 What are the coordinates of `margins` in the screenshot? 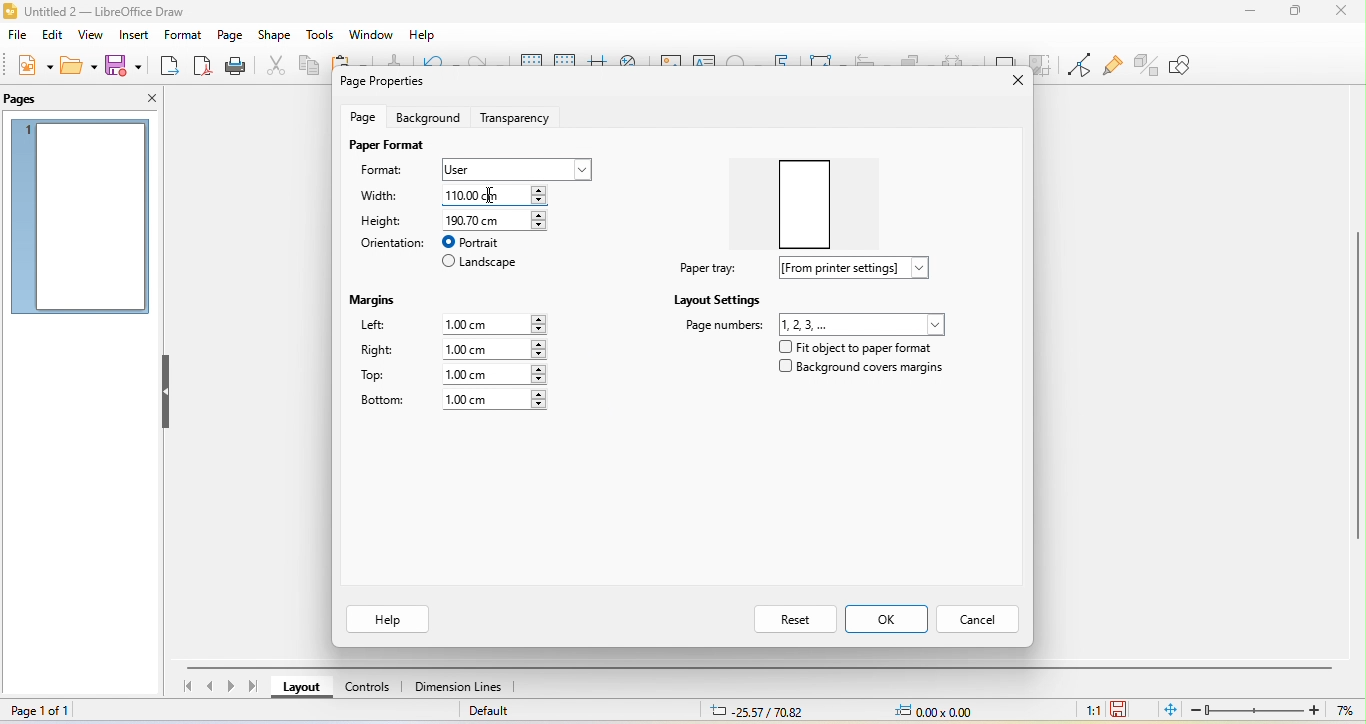 It's located at (377, 297).